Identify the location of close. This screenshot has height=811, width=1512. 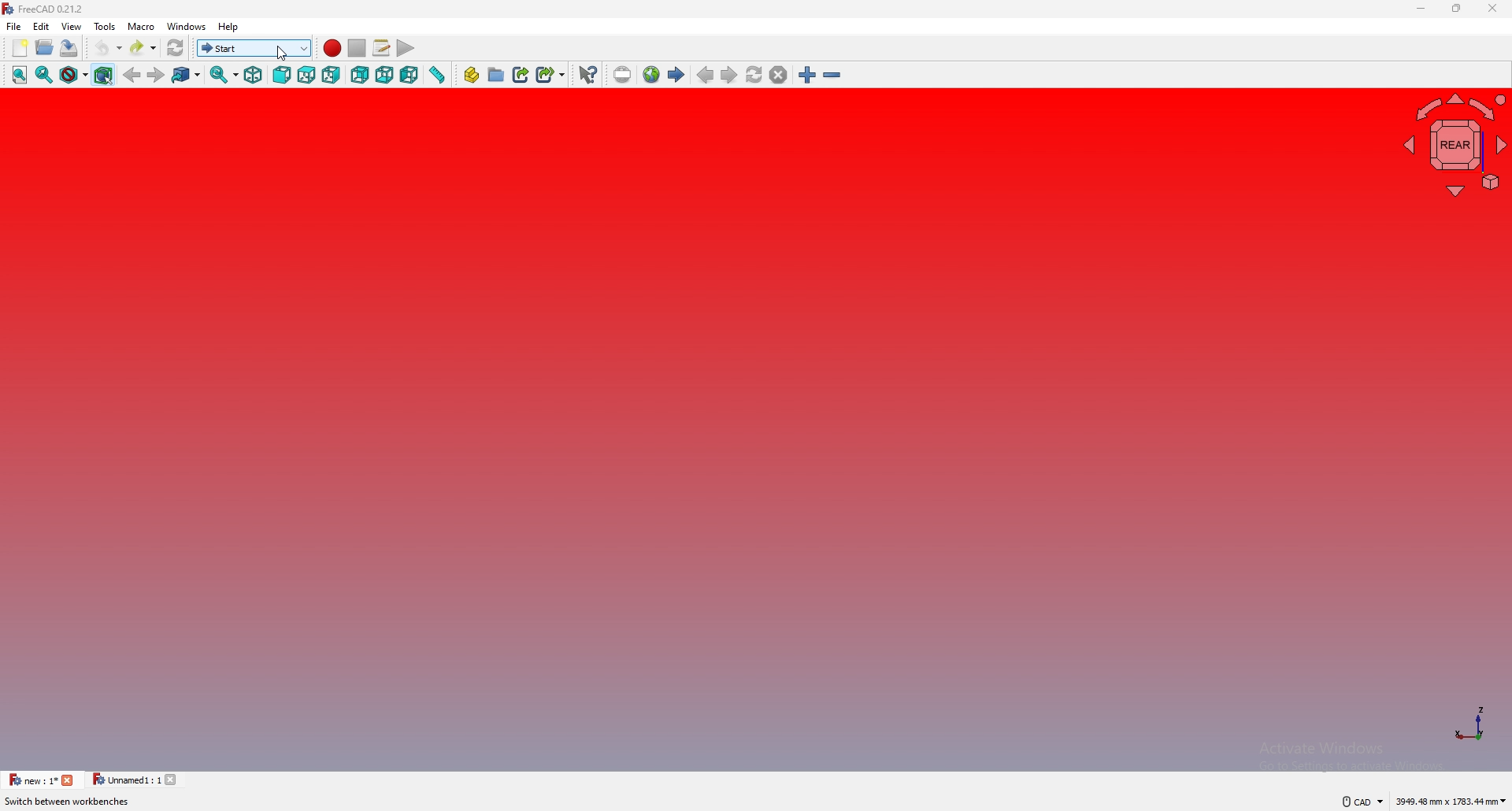
(176, 779).